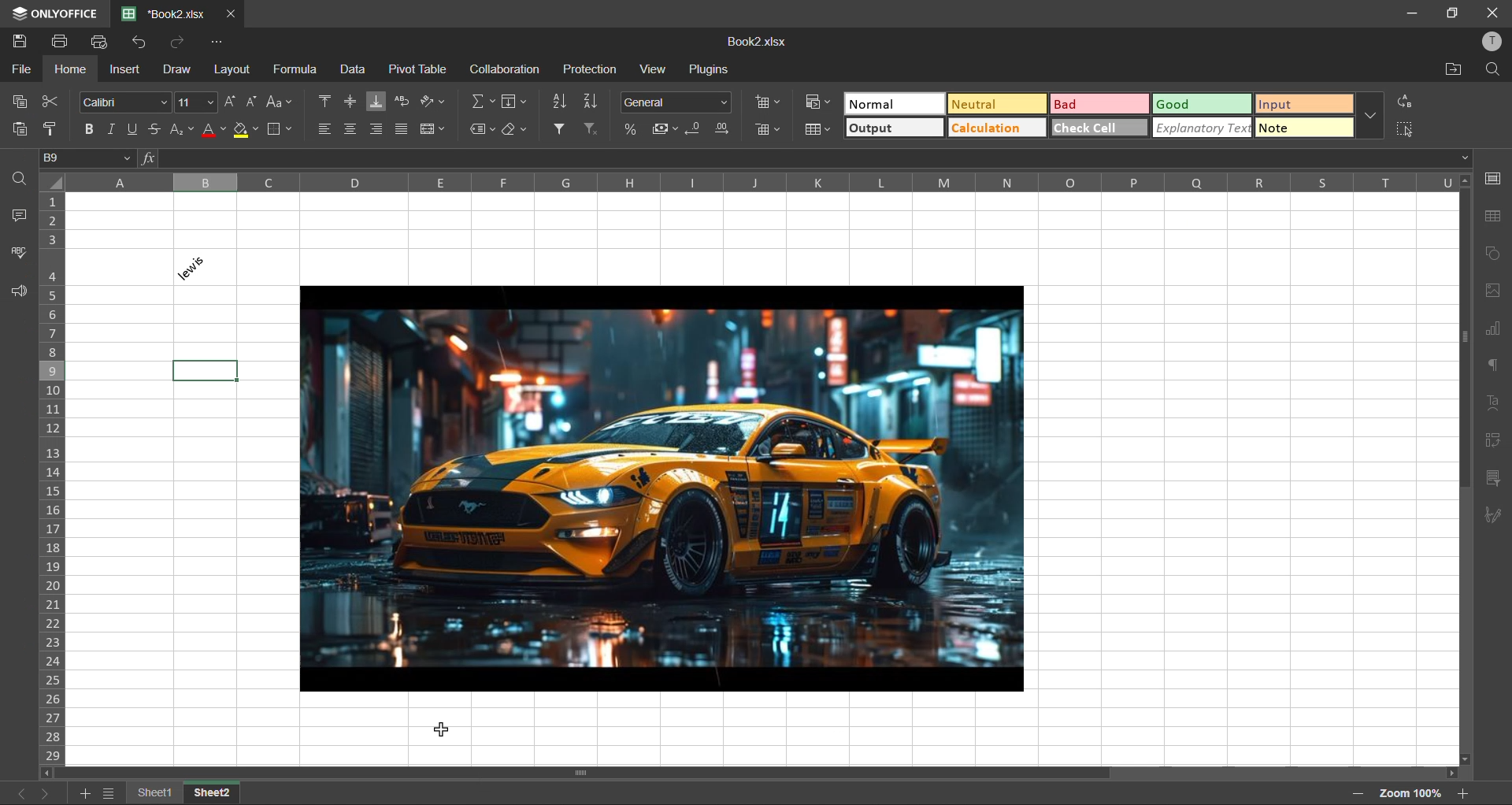 The height and width of the screenshot is (805, 1512). What do you see at coordinates (141, 45) in the screenshot?
I see `undo` at bounding box center [141, 45].